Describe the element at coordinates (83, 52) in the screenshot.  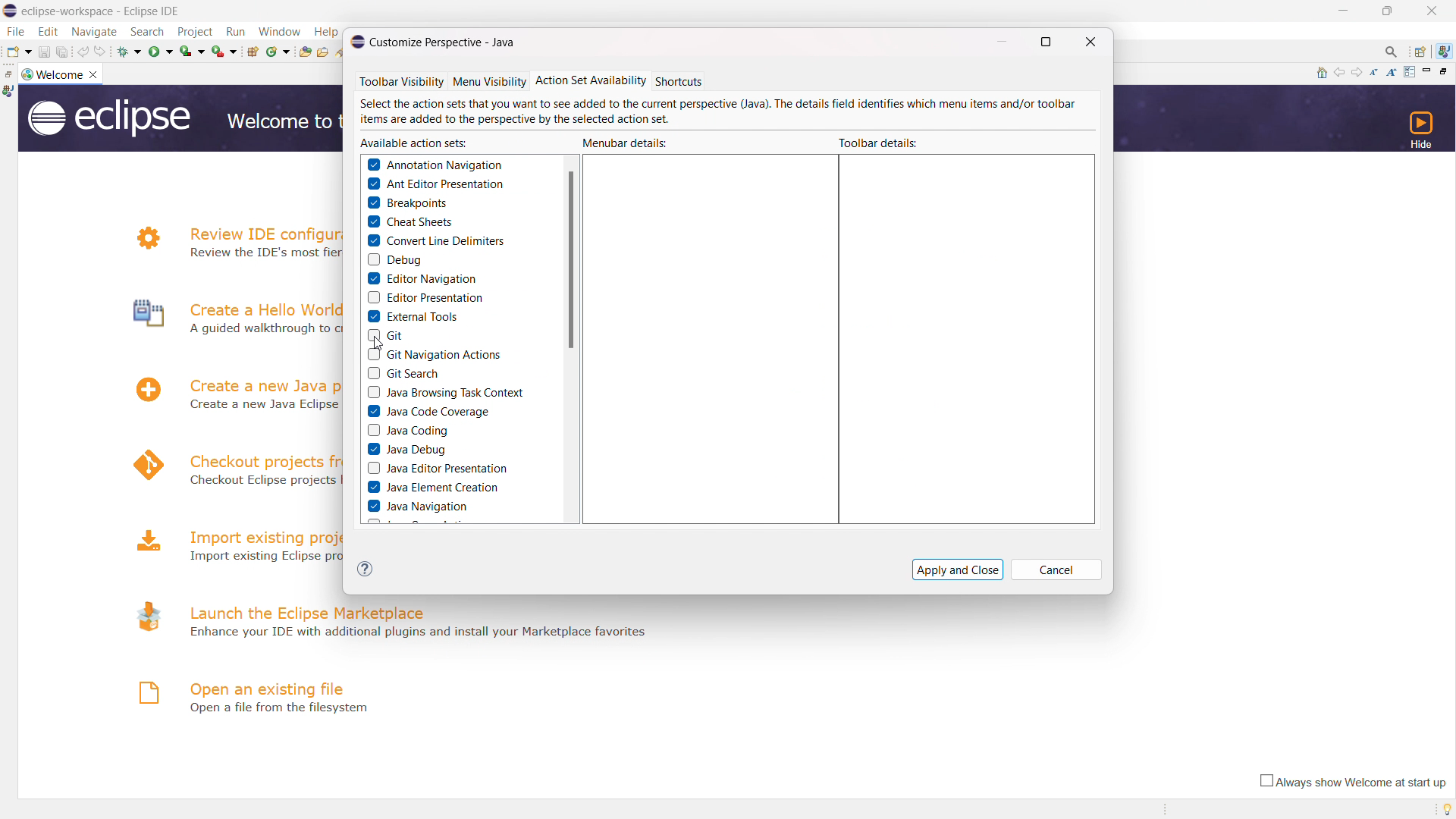
I see `undo` at that location.